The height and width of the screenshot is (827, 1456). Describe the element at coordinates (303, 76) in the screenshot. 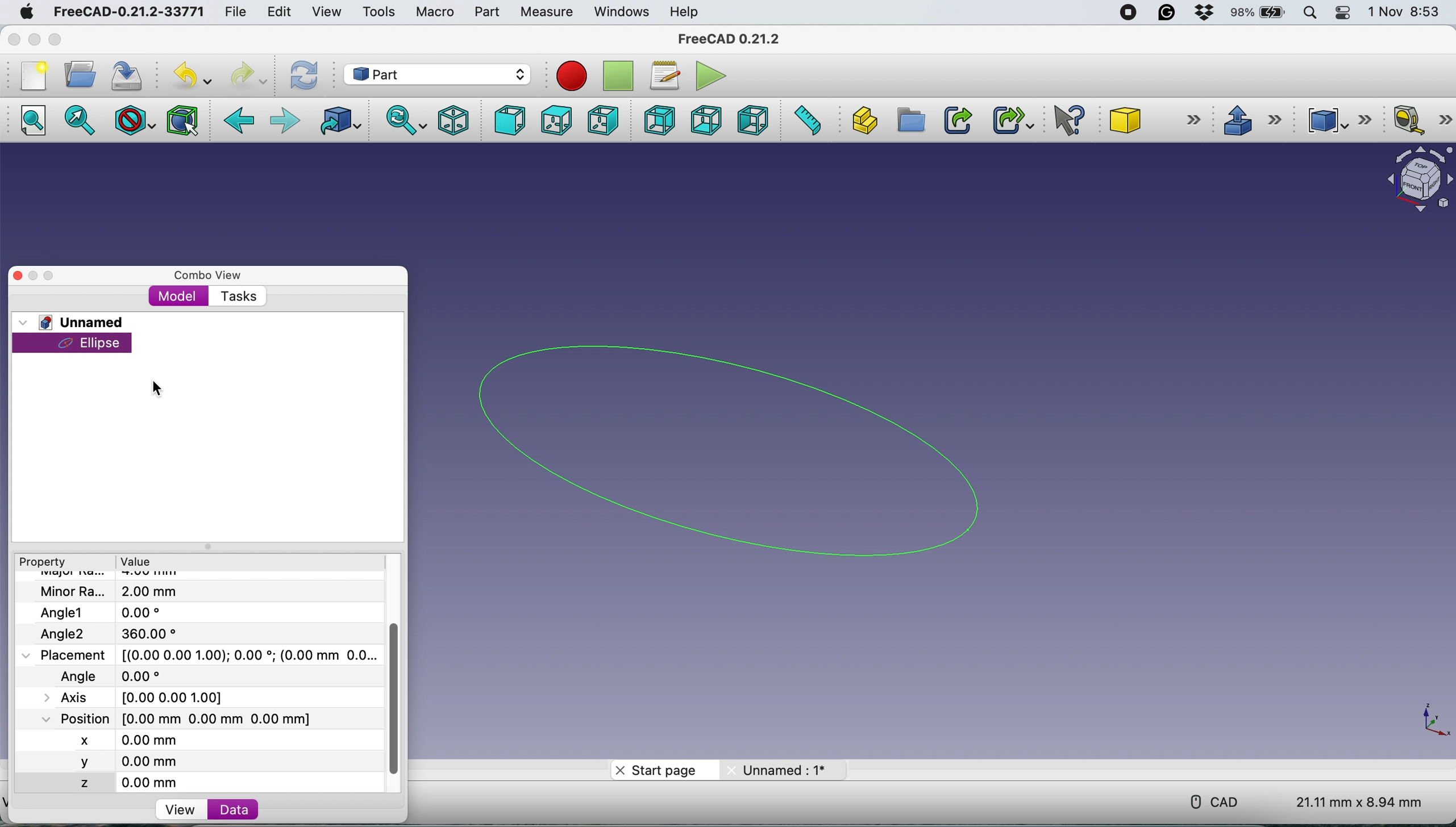

I see `refresh` at that location.